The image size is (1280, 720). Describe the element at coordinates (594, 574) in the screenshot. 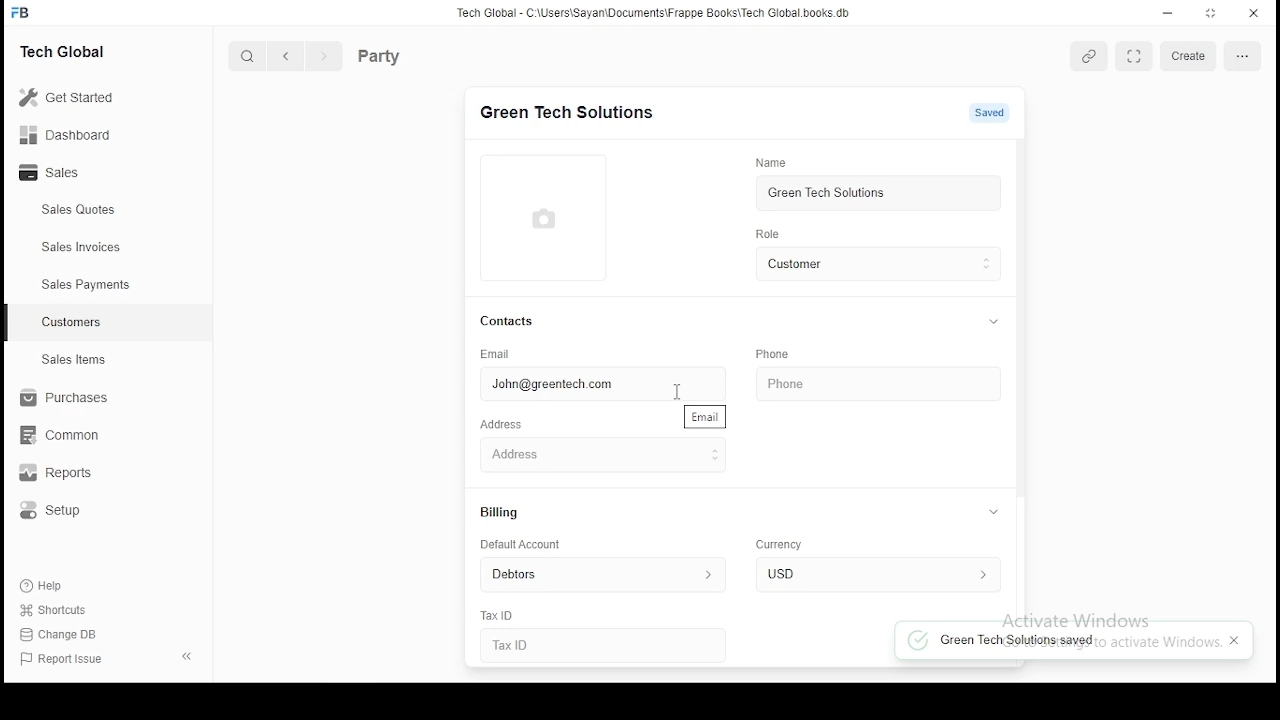

I see `default account` at that location.